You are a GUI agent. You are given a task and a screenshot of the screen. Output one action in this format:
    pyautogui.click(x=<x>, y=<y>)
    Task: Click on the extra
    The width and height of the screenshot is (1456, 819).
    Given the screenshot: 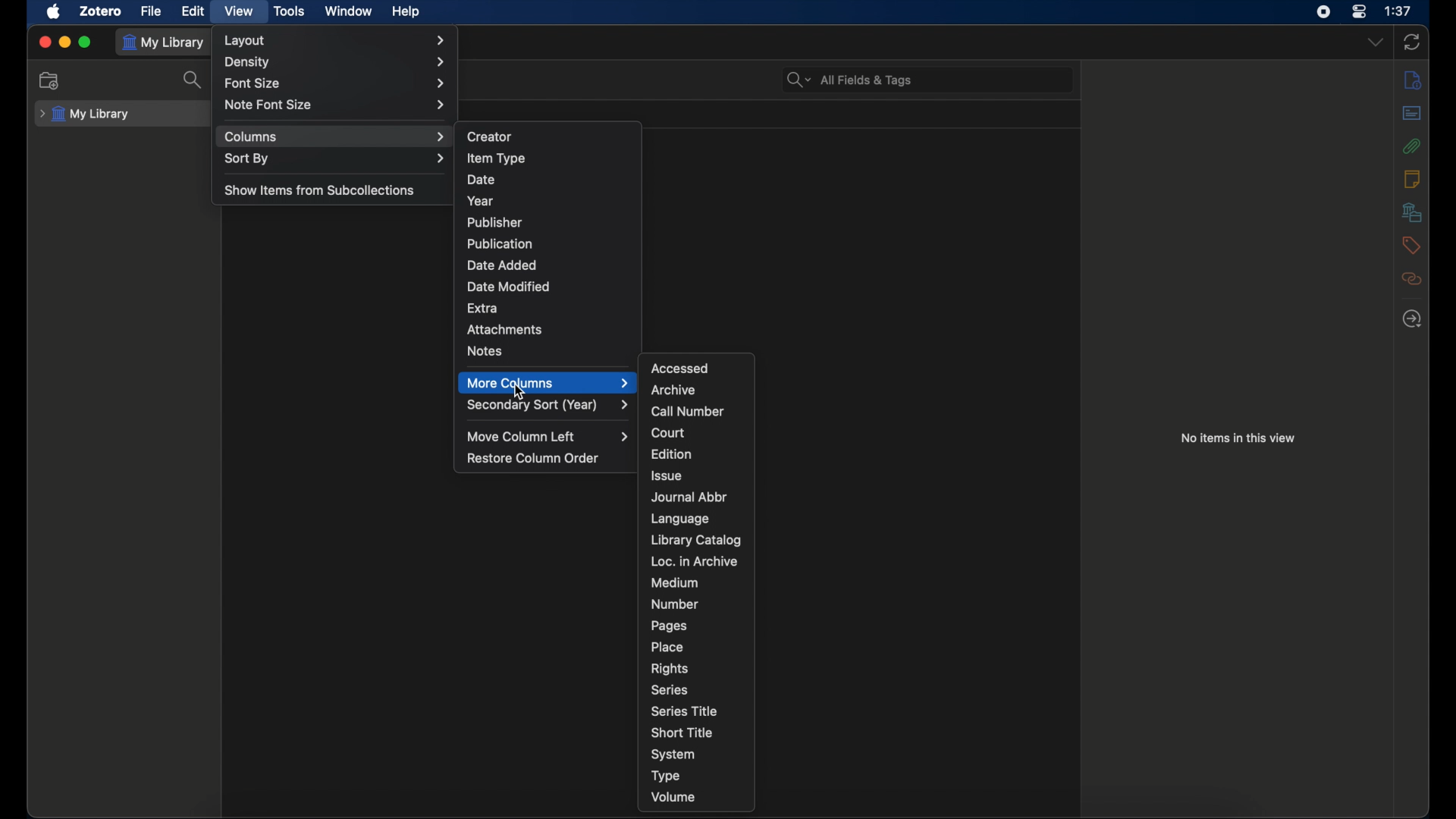 What is the action you would take?
    pyautogui.click(x=483, y=309)
    